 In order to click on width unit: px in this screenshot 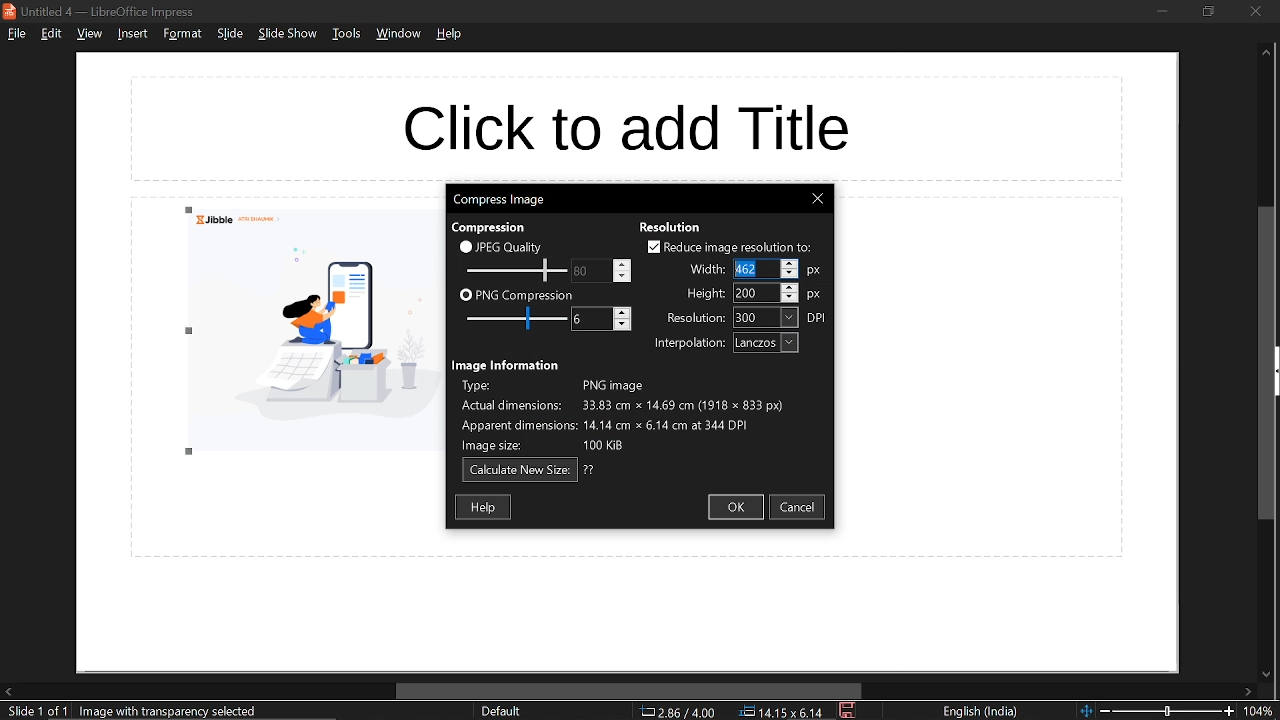, I will do `click(813, 272)`.